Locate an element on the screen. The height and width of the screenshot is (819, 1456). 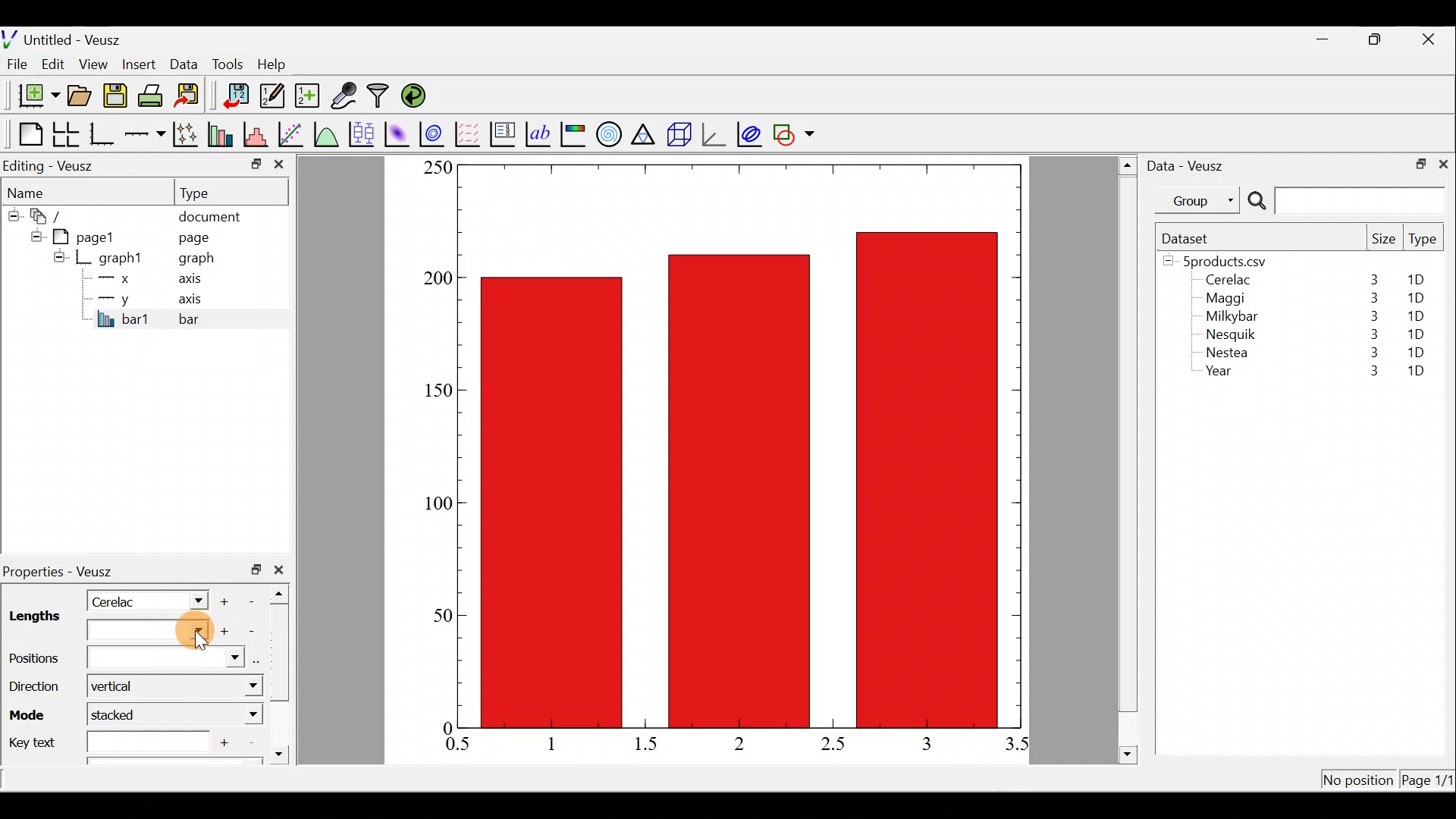
5products.csv is located at coordinates (1223, 260).